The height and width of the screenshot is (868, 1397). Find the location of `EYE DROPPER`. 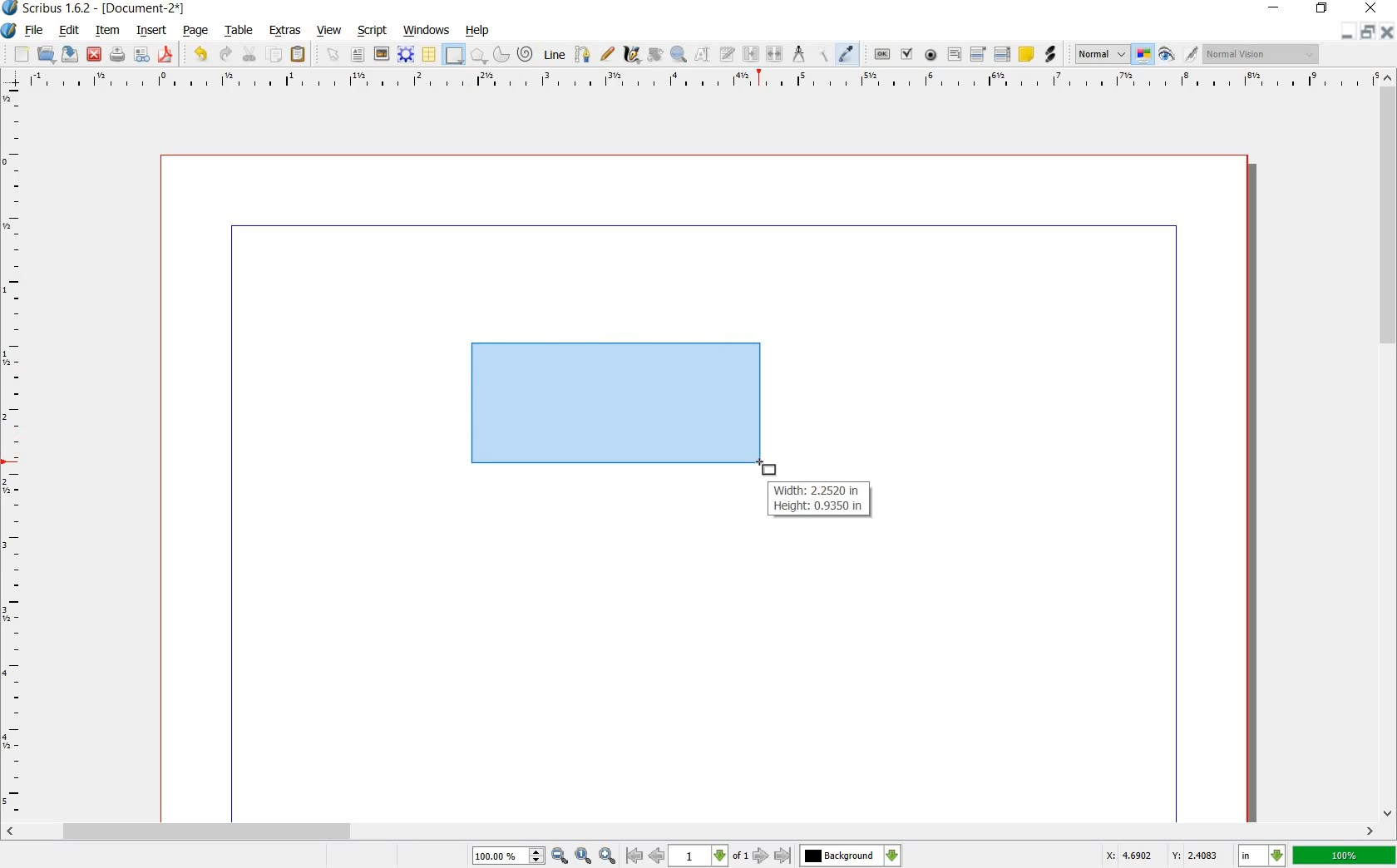

EYE DROPPER is located at coordinates (849, 54).